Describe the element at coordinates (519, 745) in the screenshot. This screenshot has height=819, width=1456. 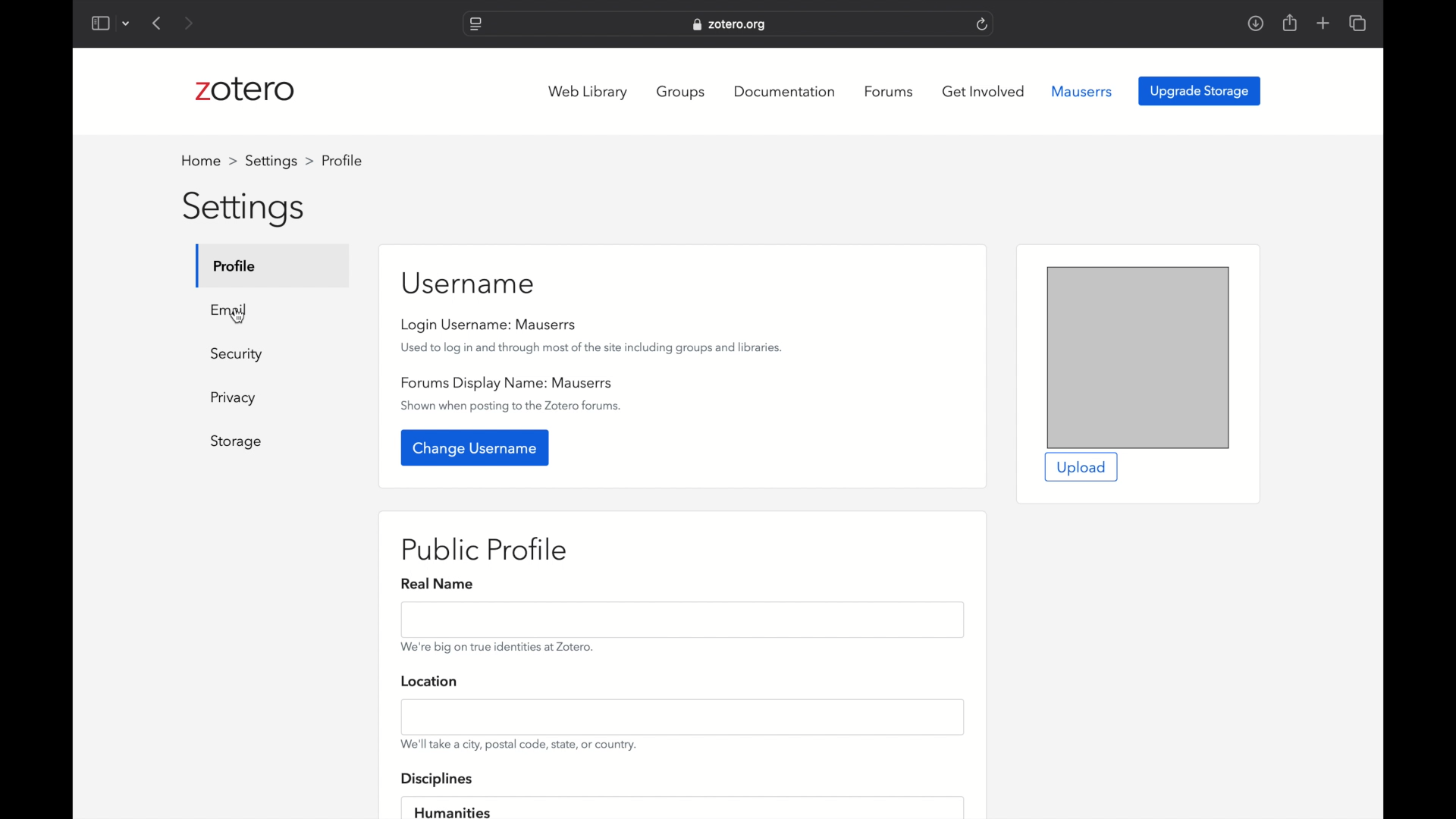
I see `info` at that location.